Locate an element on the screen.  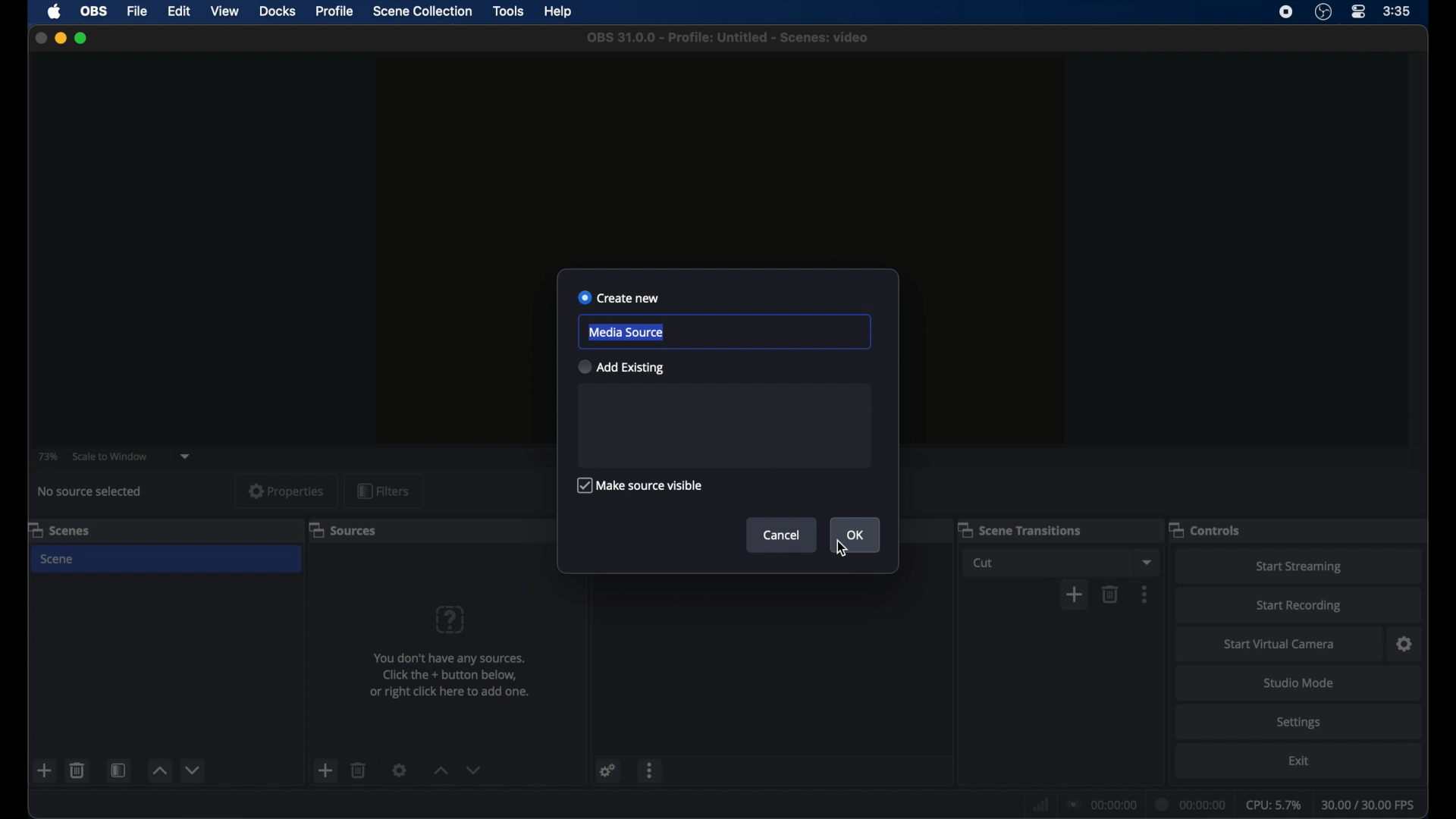
filter is located at coordinates (383, 490).